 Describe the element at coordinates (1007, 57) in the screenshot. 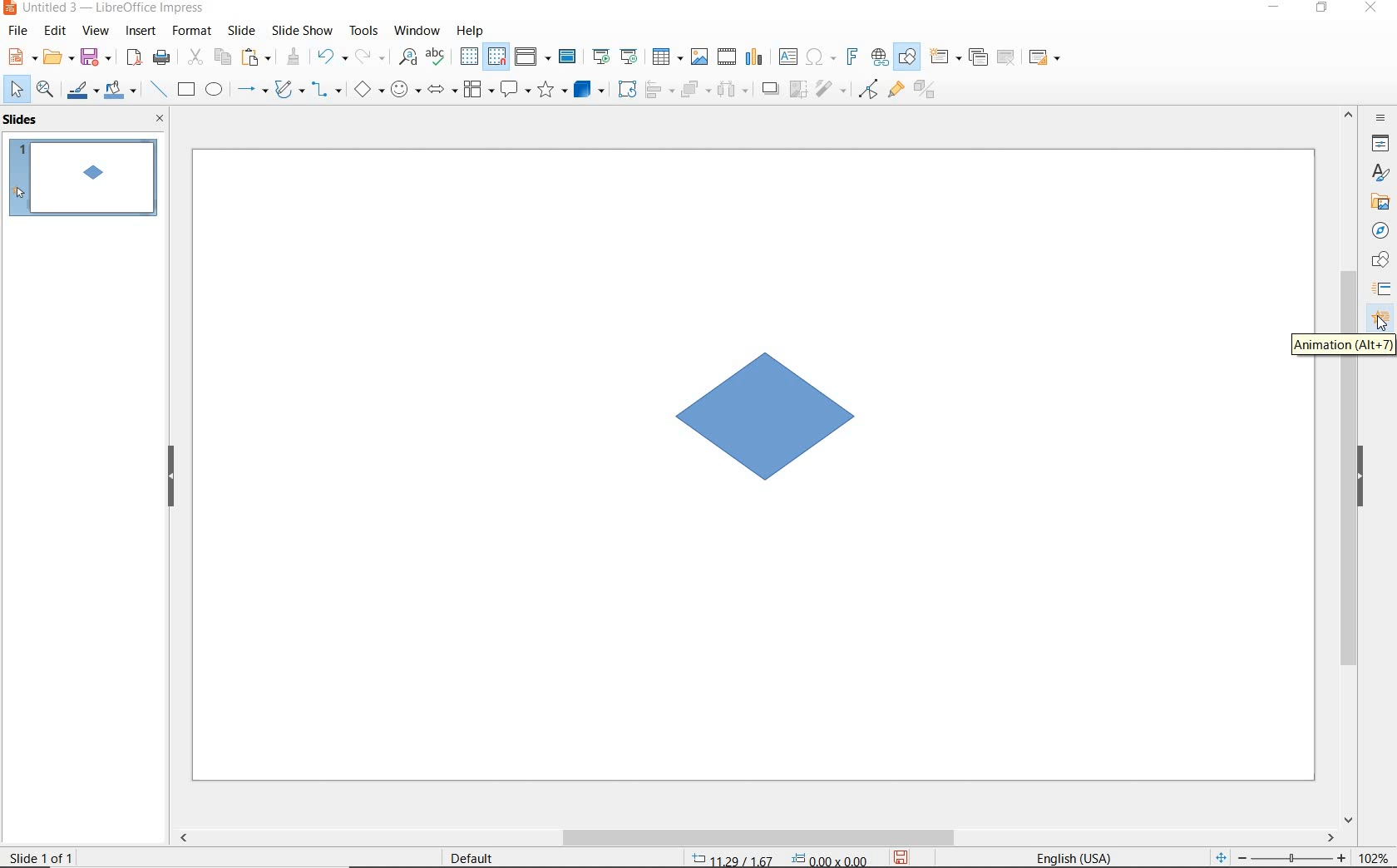

I see `delete slides` at that location.